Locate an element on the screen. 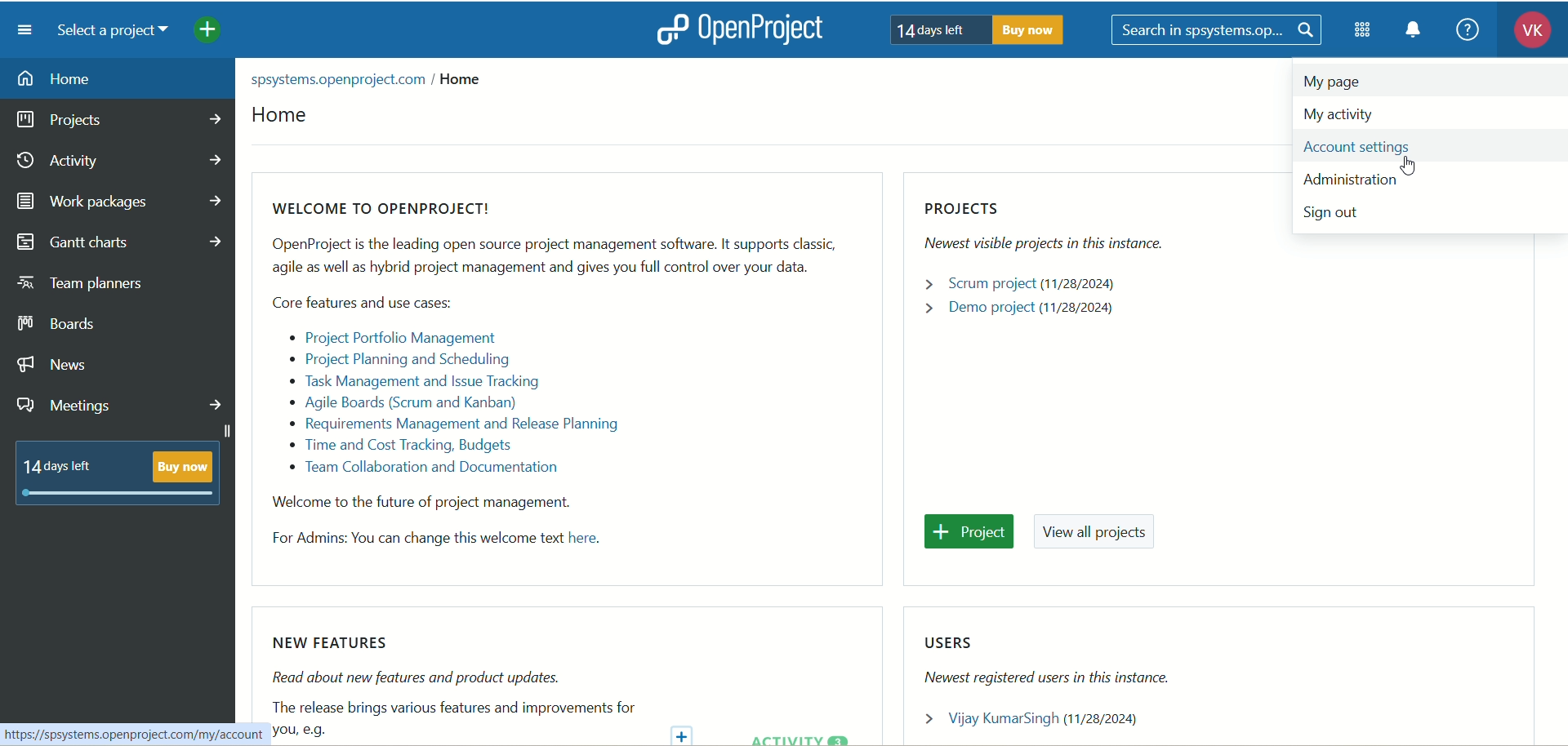 The image size is (1568, 746). text is located at coordinates (1051, 659).